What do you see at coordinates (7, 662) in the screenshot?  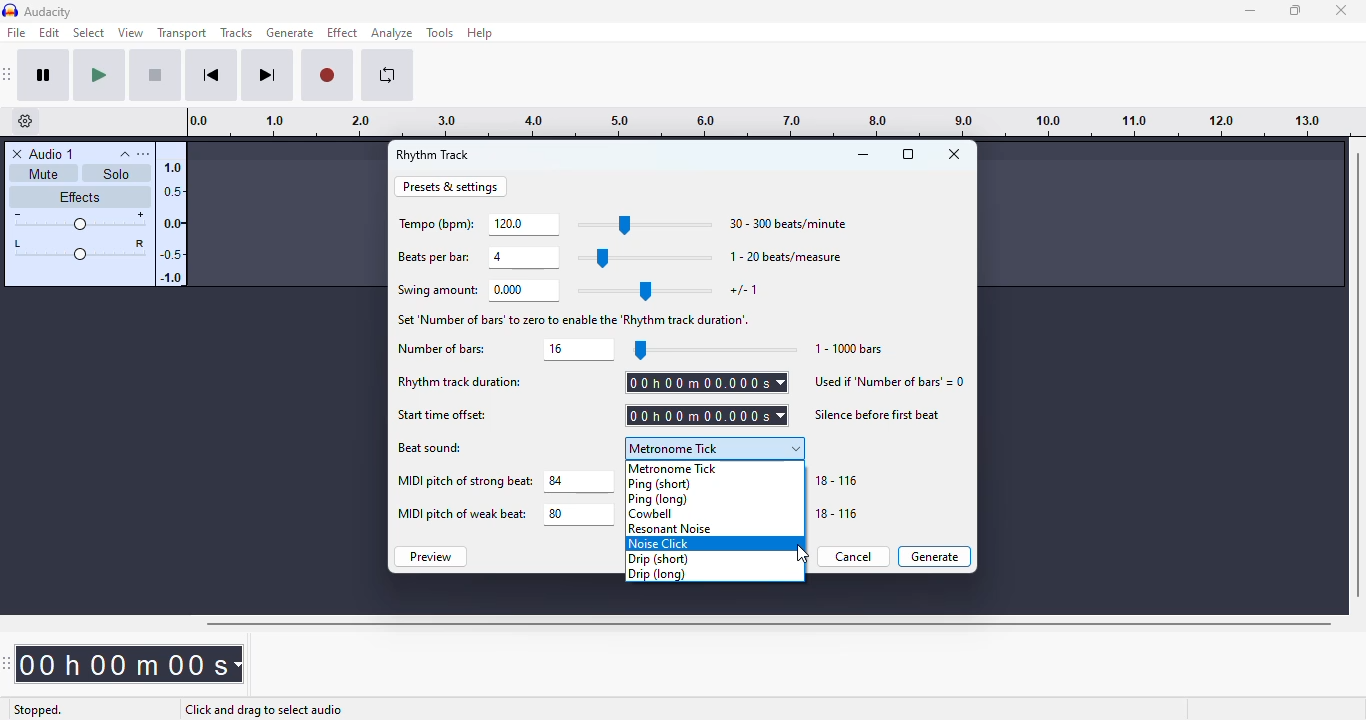 I see `audacity time toolbar` at bounding box center [7, 662].